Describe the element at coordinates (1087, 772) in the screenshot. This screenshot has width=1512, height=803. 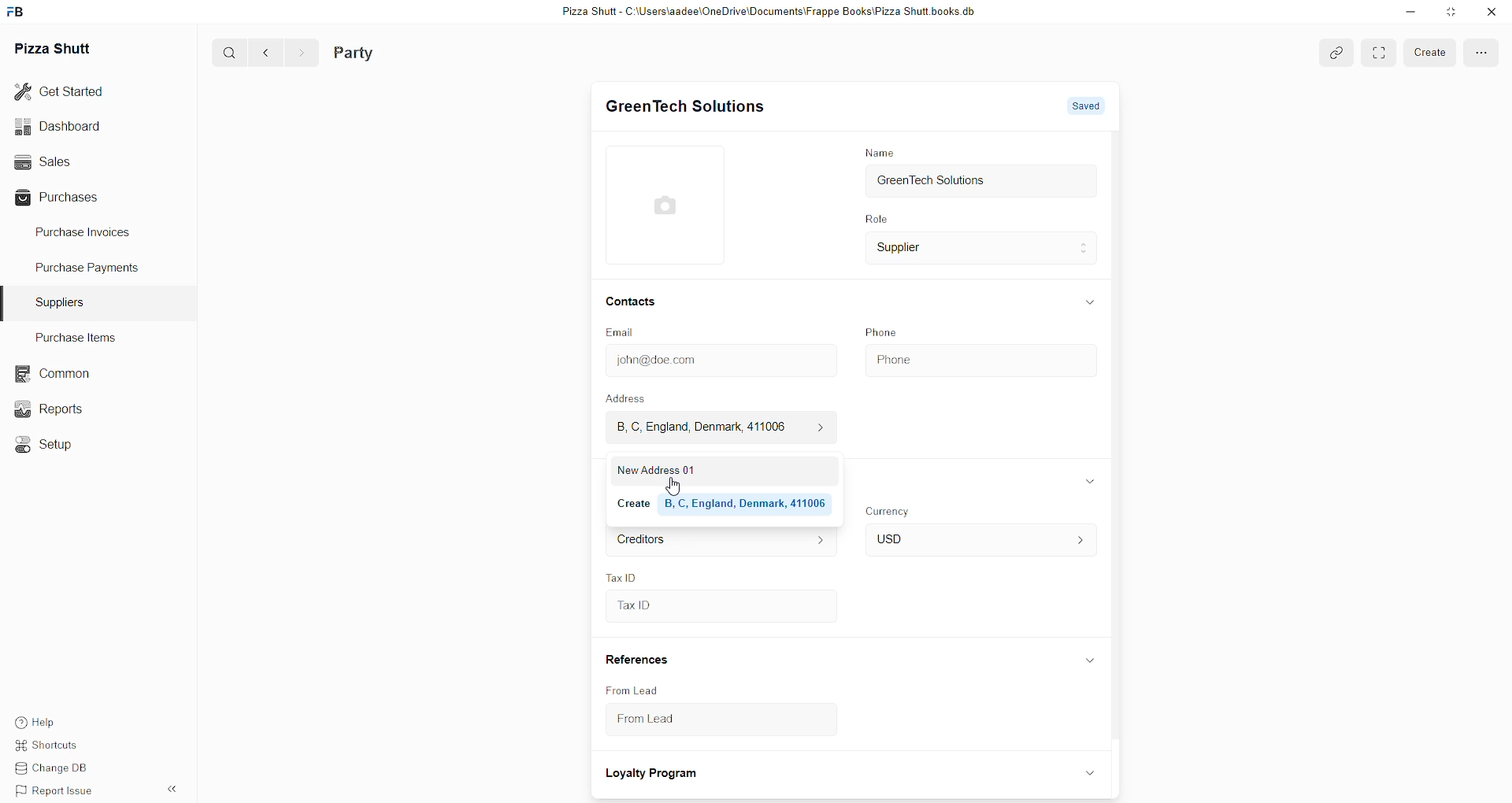
I see `hide` at that location.